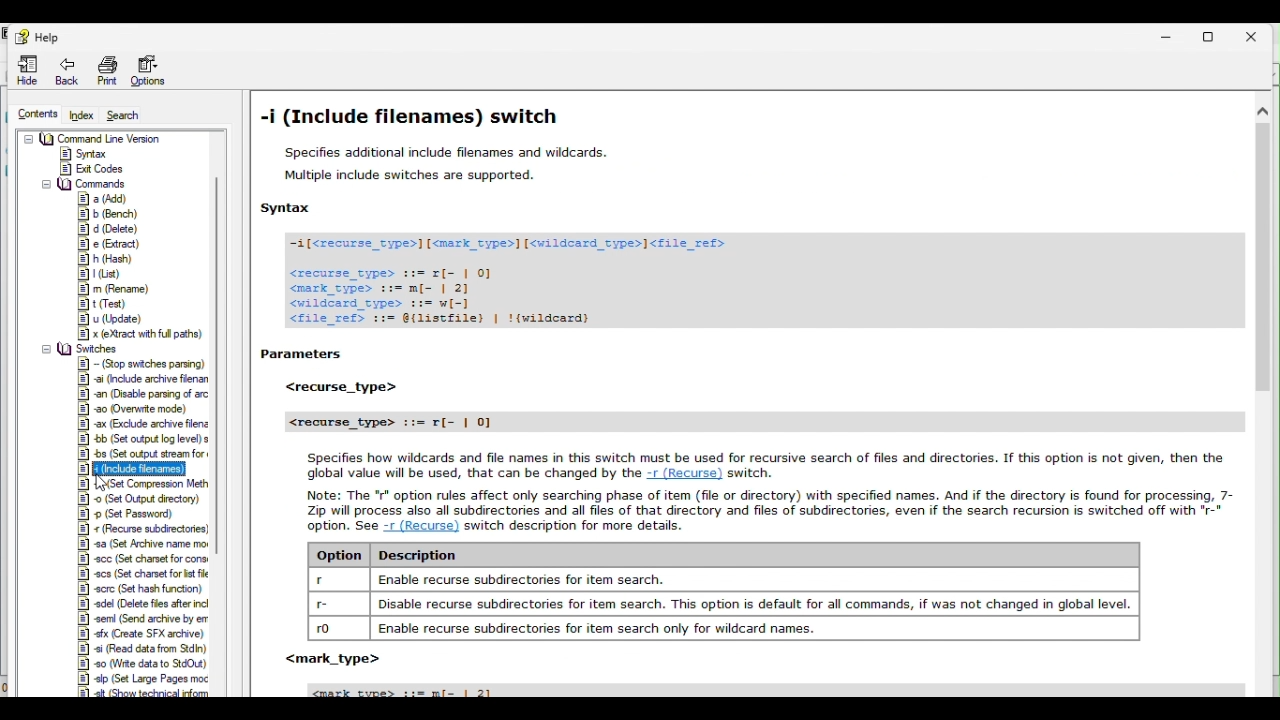  Describe the element at coordinates (536, 279) in the screenshot. I see `code` at that location.